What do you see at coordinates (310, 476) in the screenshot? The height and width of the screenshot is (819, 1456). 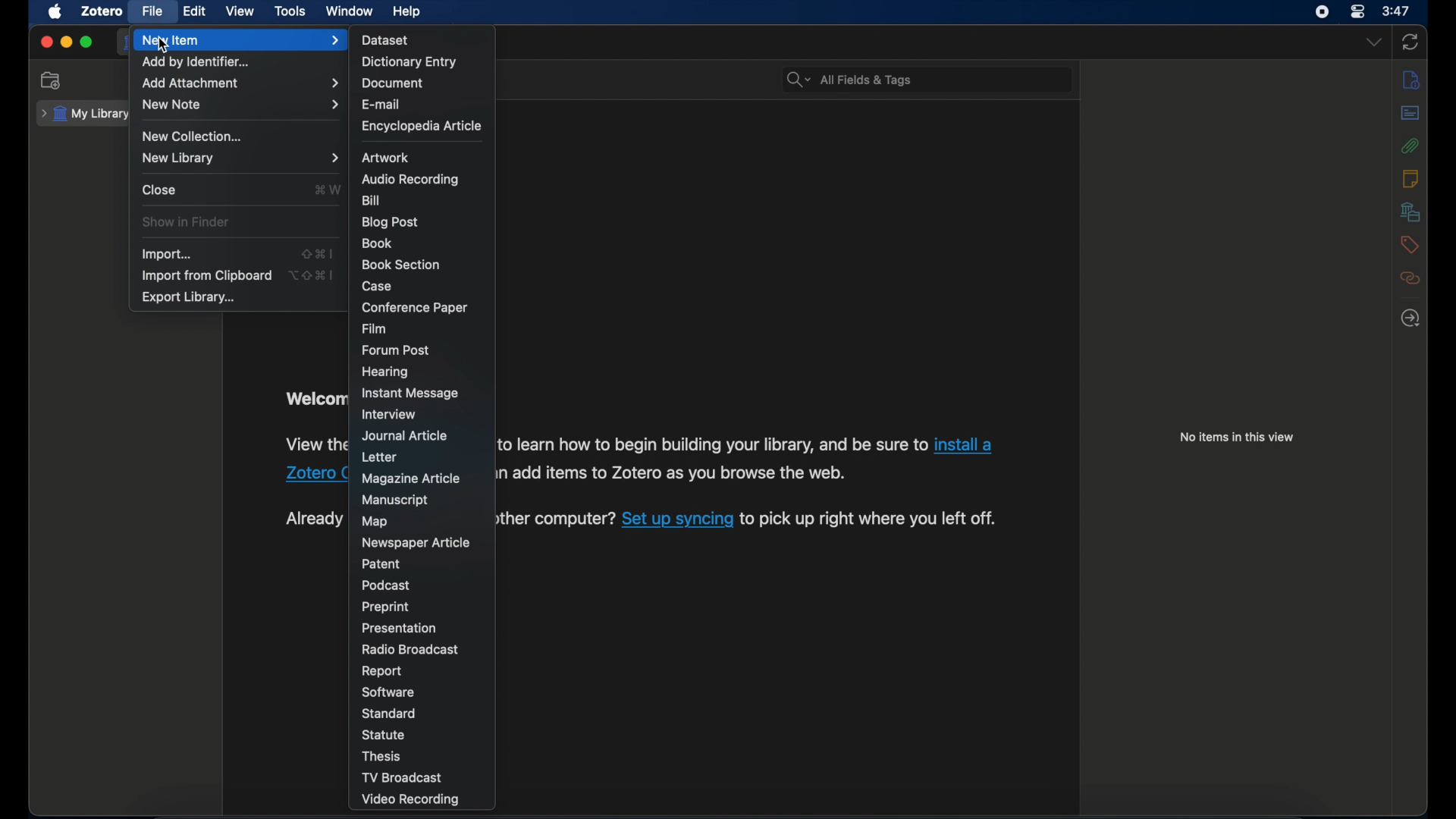 I see `hyperlink` at bounding box center [310, 476].